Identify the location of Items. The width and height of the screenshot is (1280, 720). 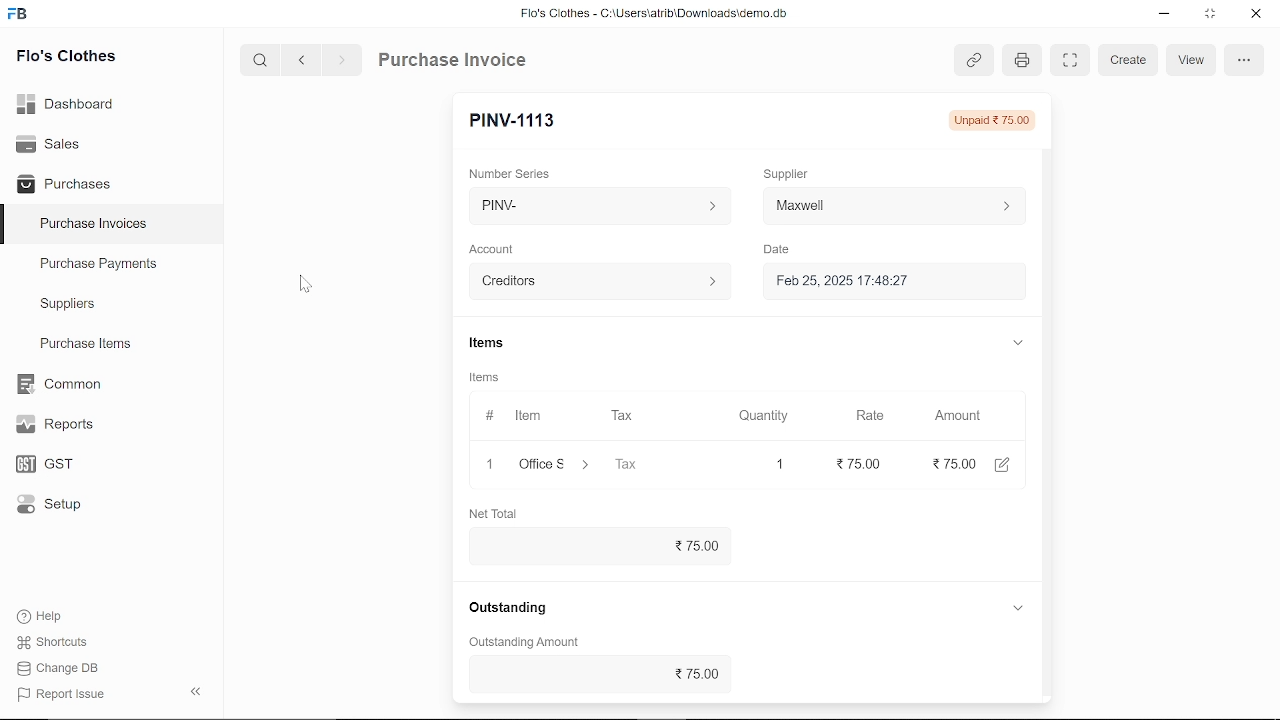
(490, 379).